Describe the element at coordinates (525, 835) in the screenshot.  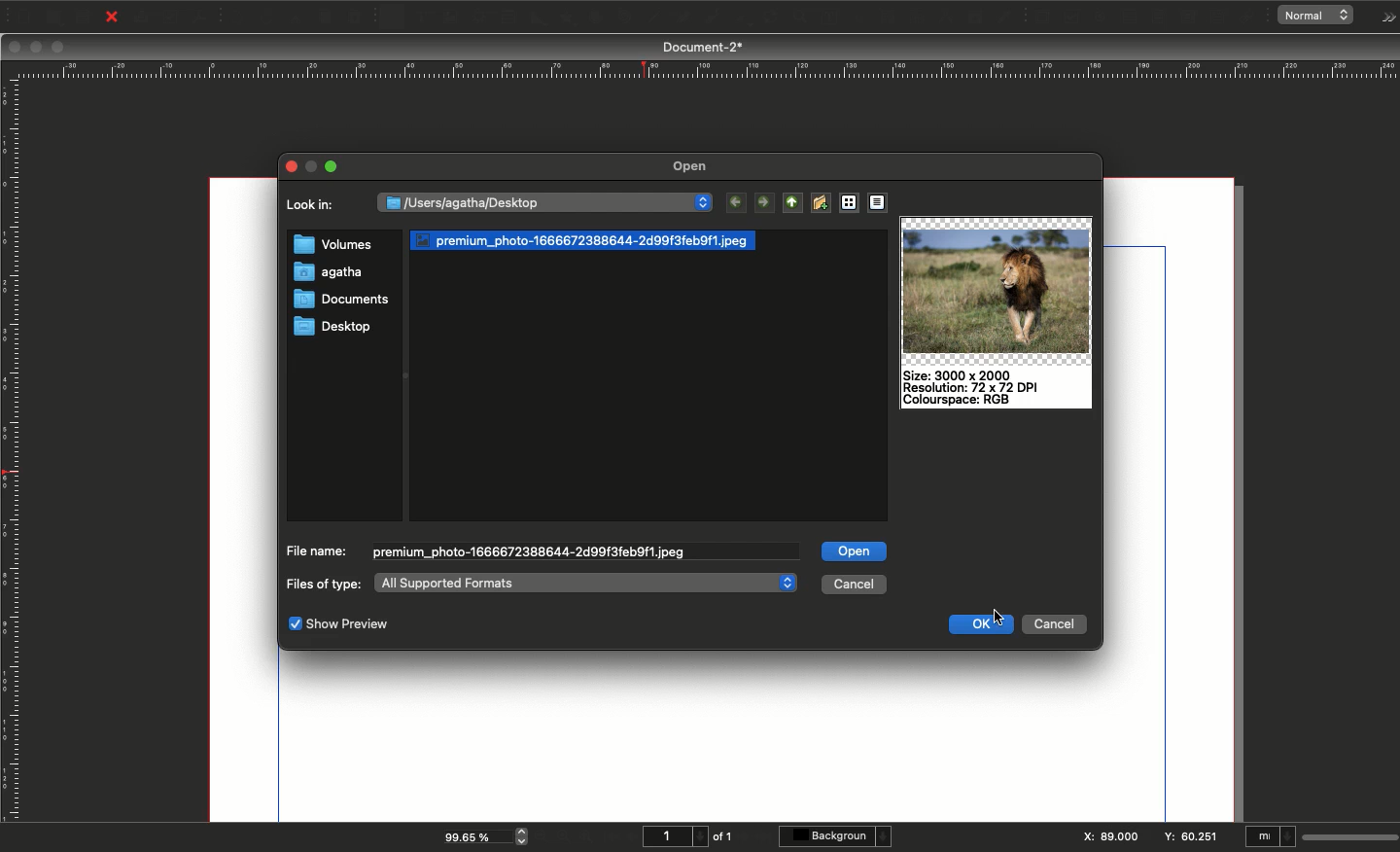
I see `zoom in and out` at that location.